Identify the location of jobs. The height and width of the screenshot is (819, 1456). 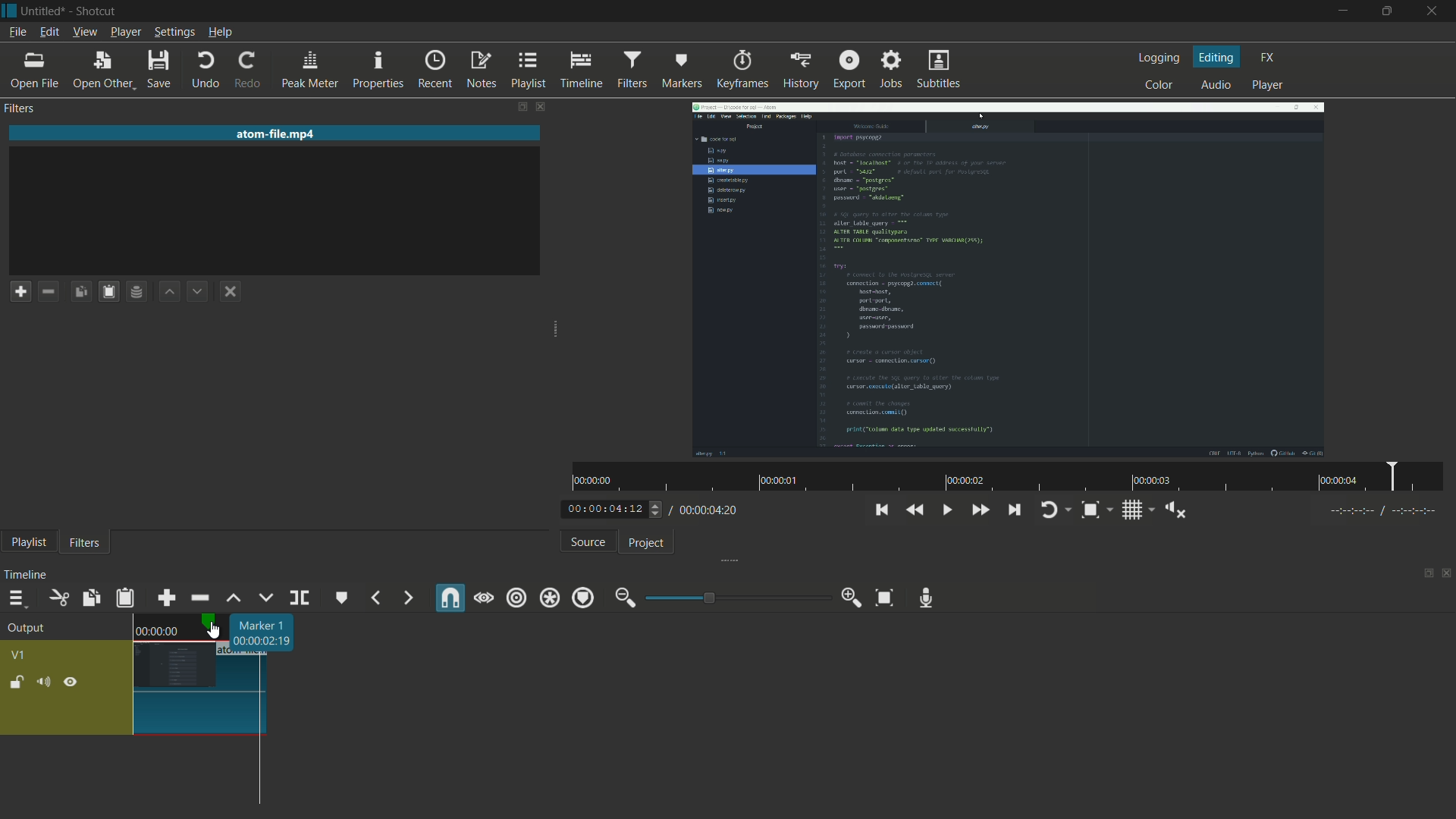
(891, 69).